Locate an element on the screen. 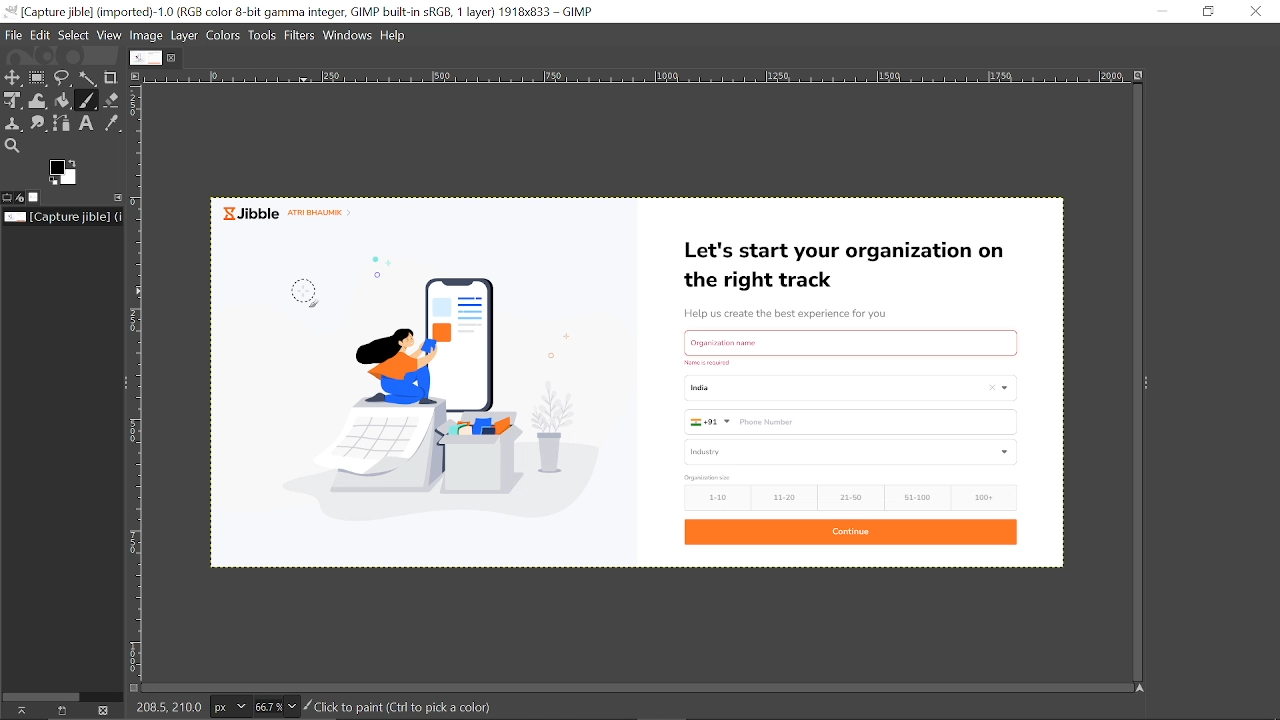 The height and width of the screenshot is (720, 1280). Access this image menu is located at coordinates (138, 75).